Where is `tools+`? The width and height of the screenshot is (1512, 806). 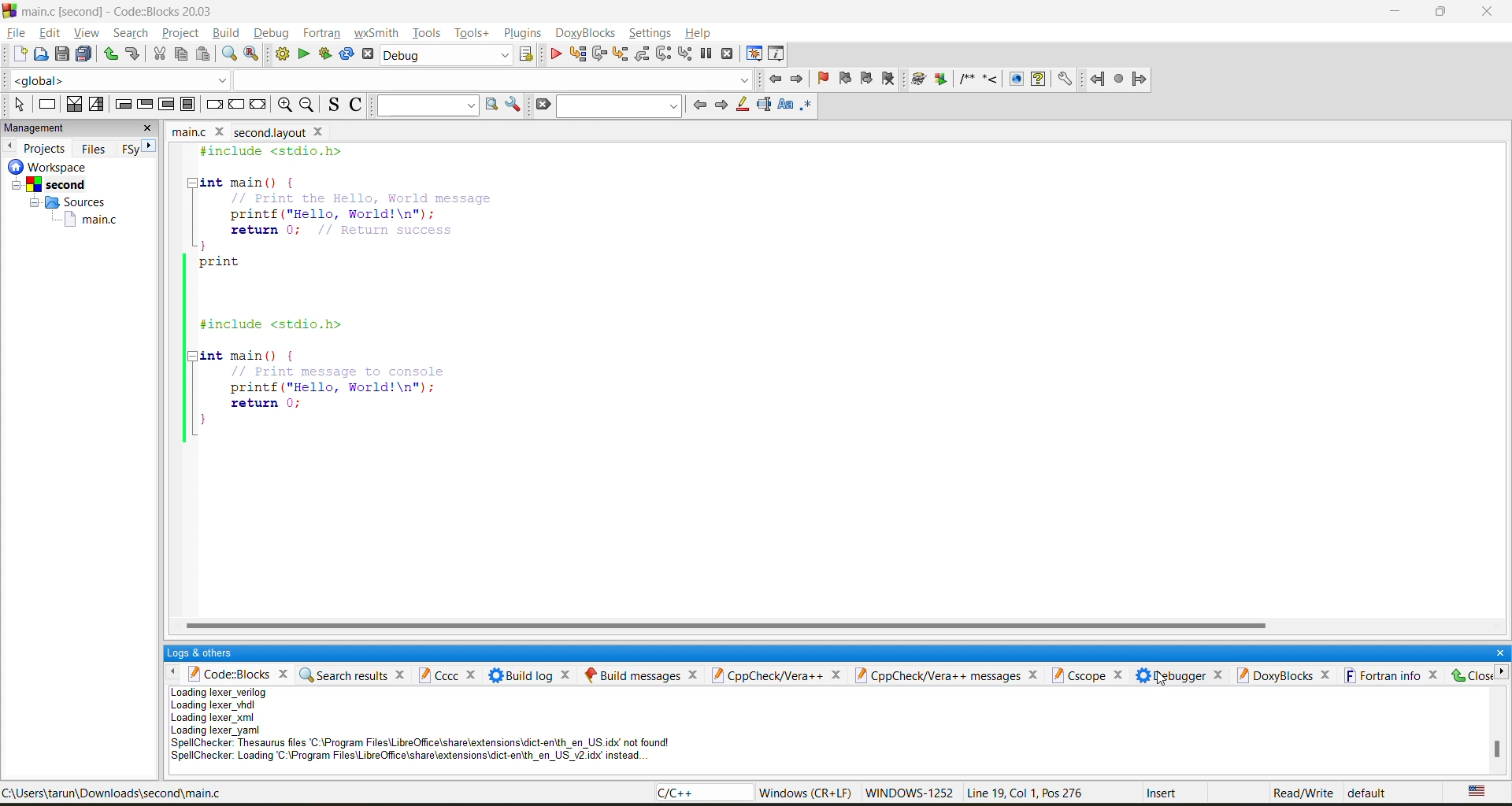
tools+ is located at coordinates (473, 34).